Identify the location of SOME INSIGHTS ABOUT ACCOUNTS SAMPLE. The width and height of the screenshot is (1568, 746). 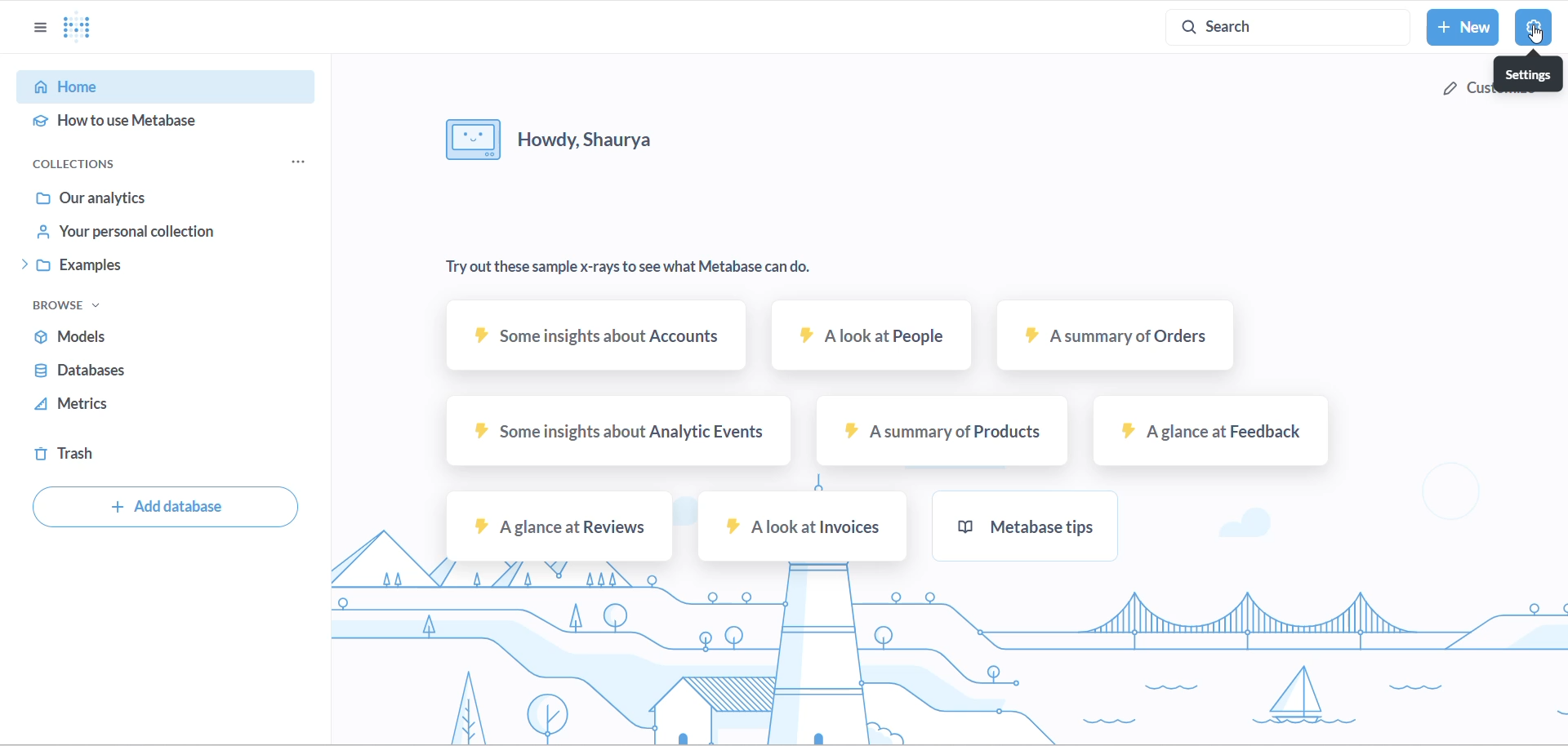
(602, 338).